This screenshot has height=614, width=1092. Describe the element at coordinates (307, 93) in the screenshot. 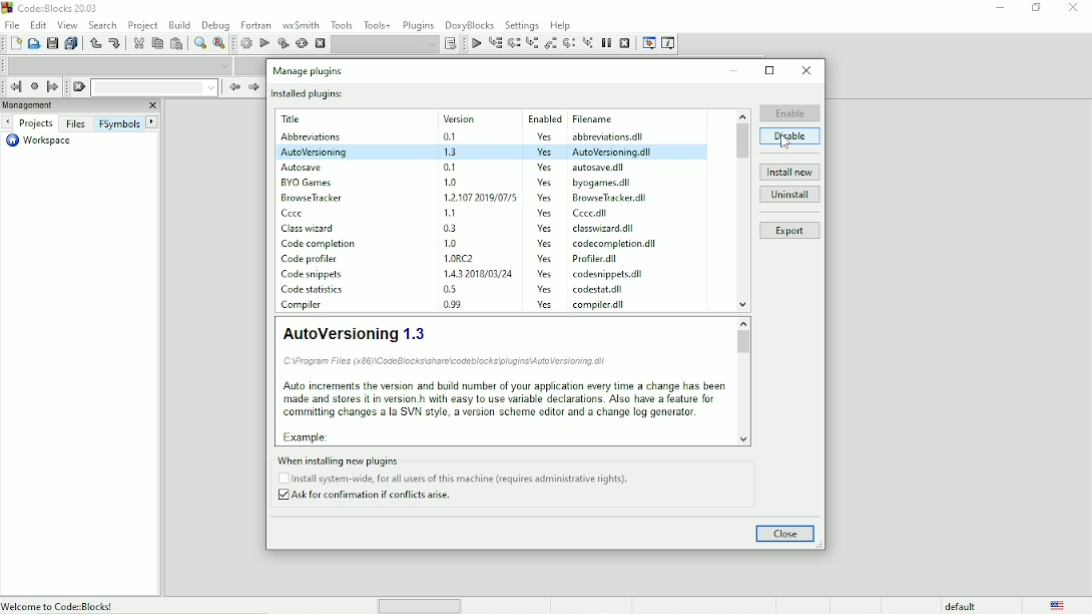

I see `Installed plugins` at that location.